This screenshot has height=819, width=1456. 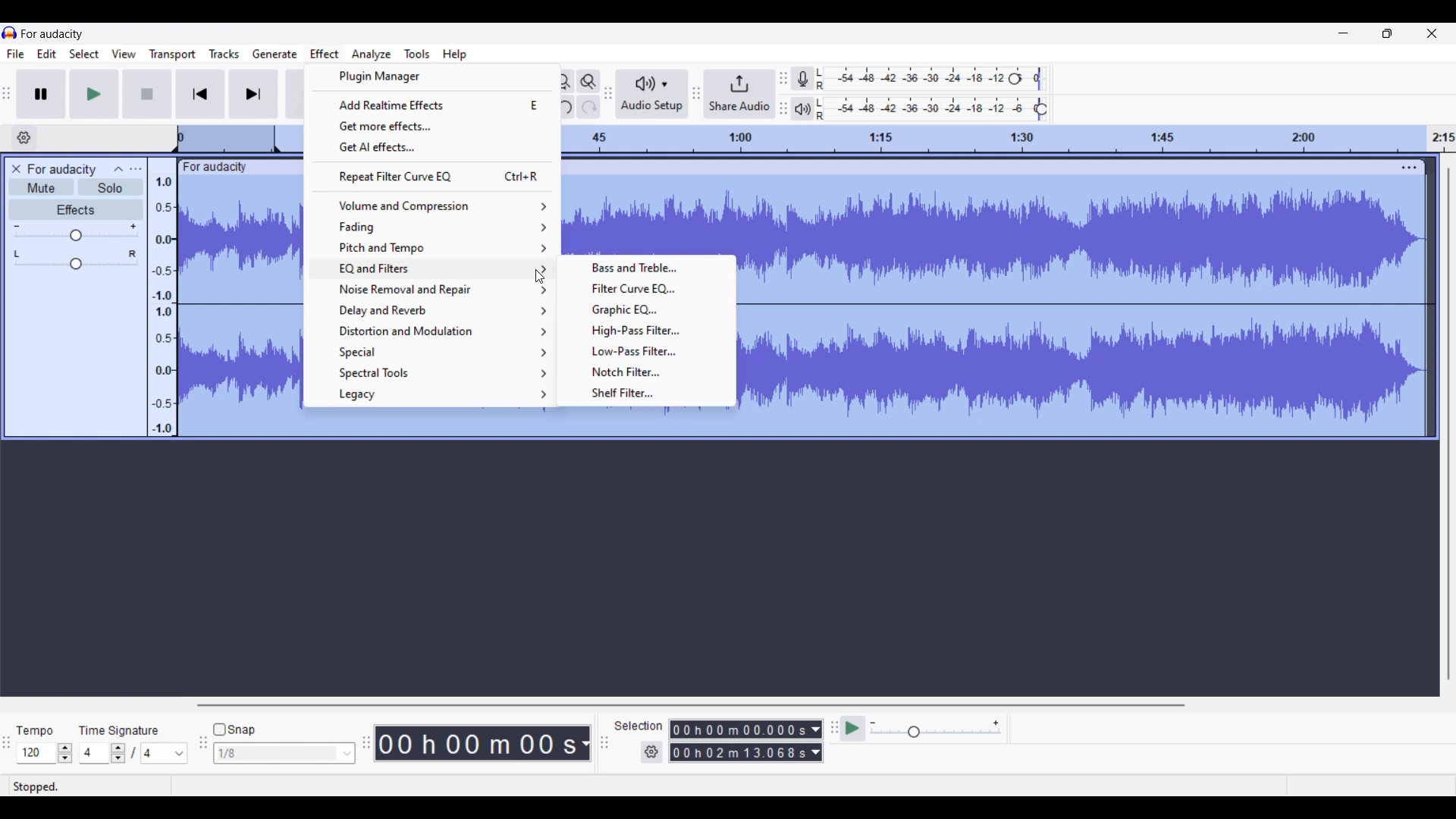 I want to click on Play-at-speed/Play-at-speed once, so click(x=854, y=729).